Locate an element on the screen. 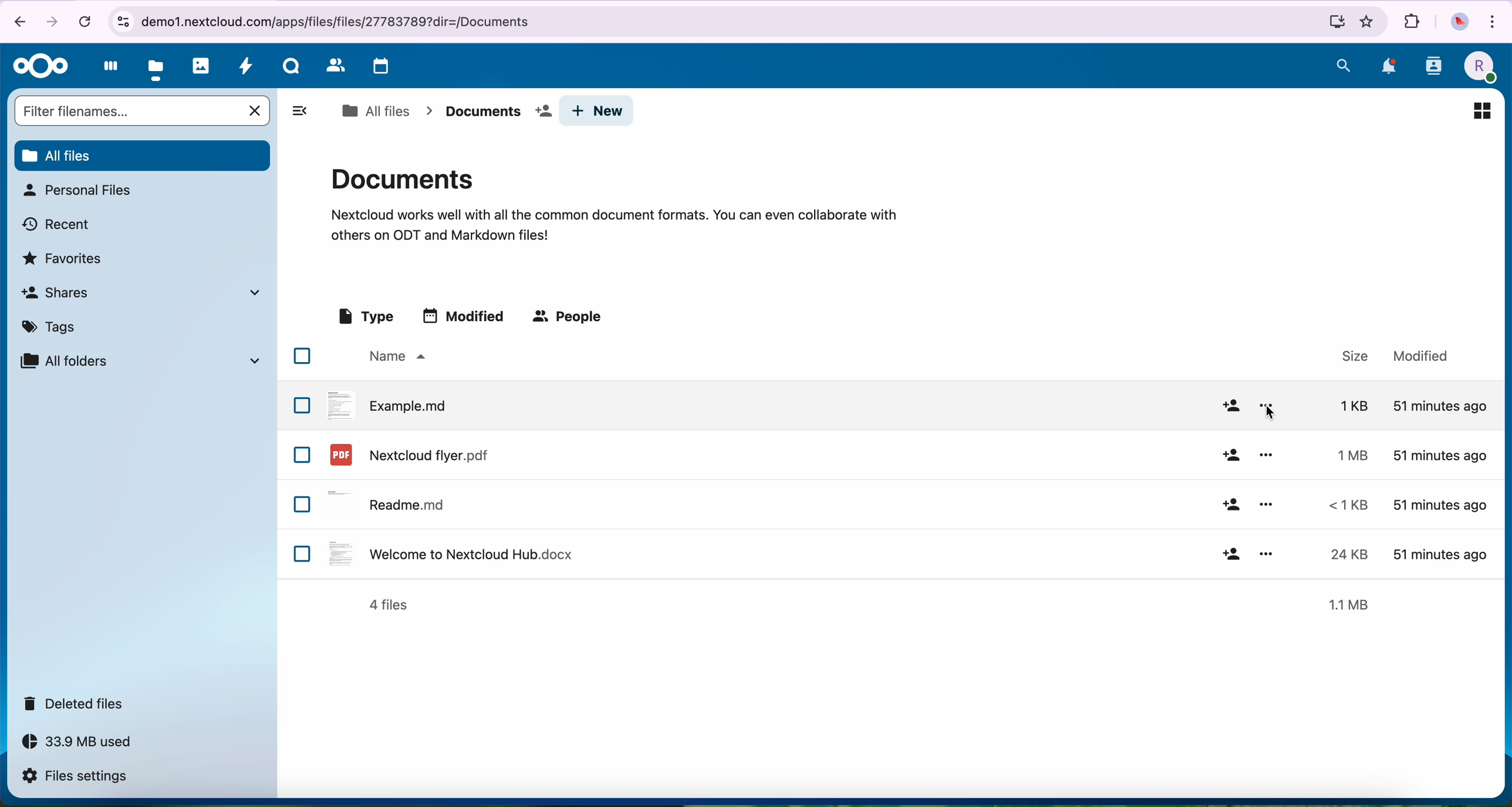 The height and width of the screenshot is (807, 1512). navigate foward is located at coordinates (55, 20).